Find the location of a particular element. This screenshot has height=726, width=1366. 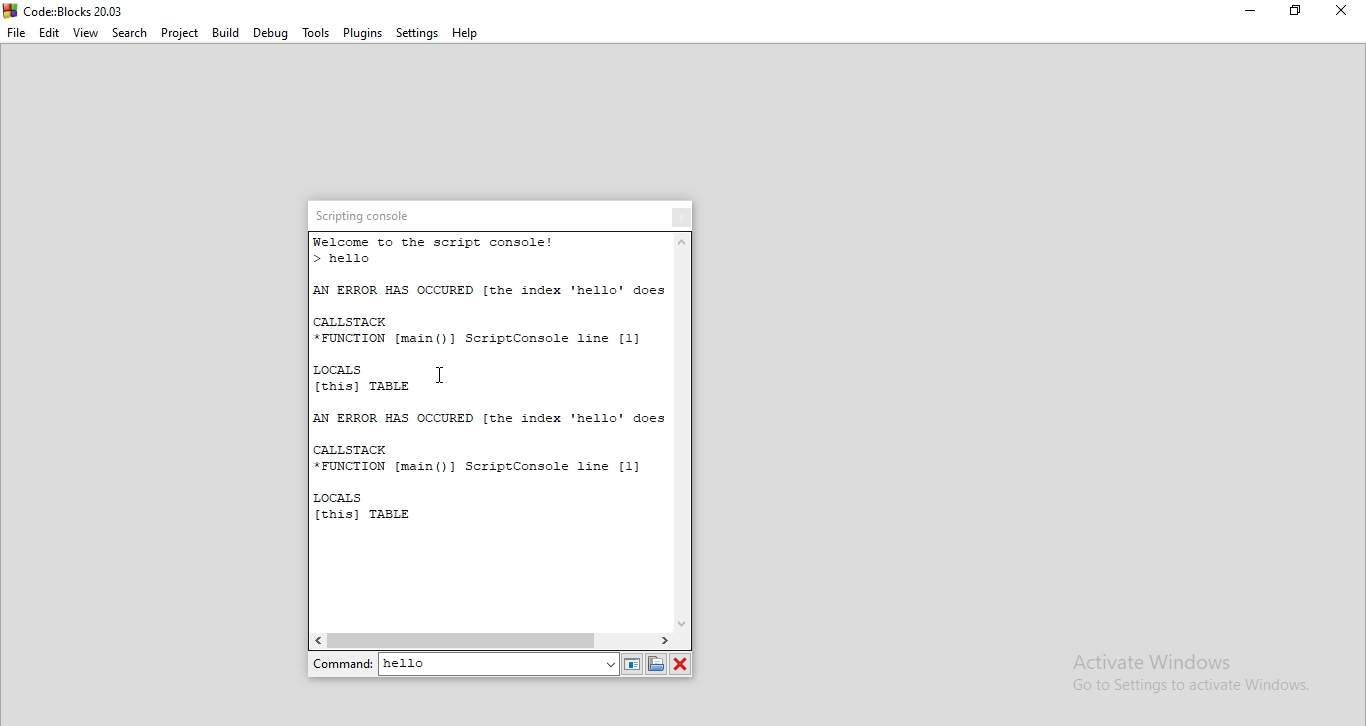

Debug  is located at coordinates (272, 33).